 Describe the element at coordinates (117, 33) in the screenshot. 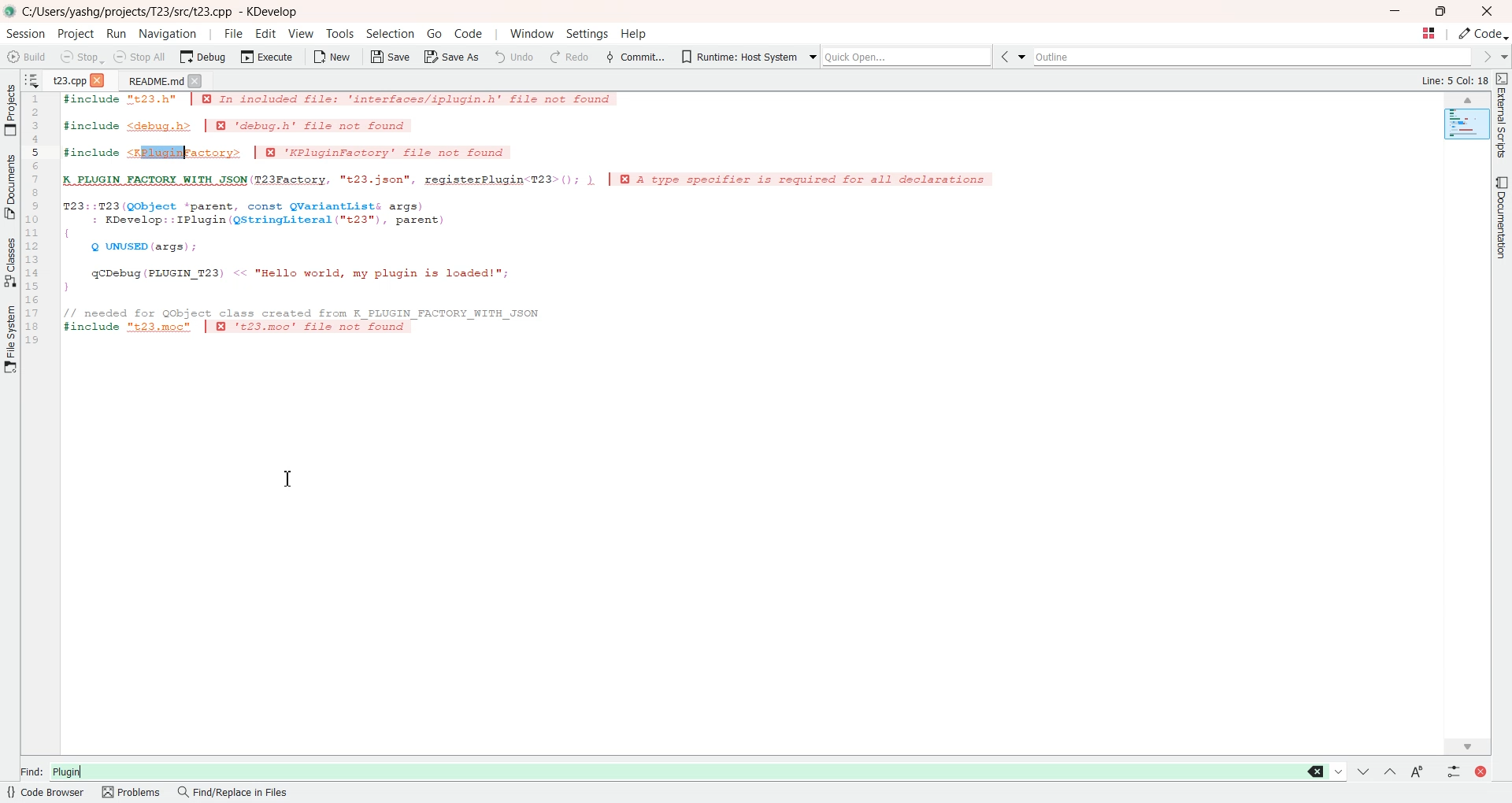

I see `Run` at that location.